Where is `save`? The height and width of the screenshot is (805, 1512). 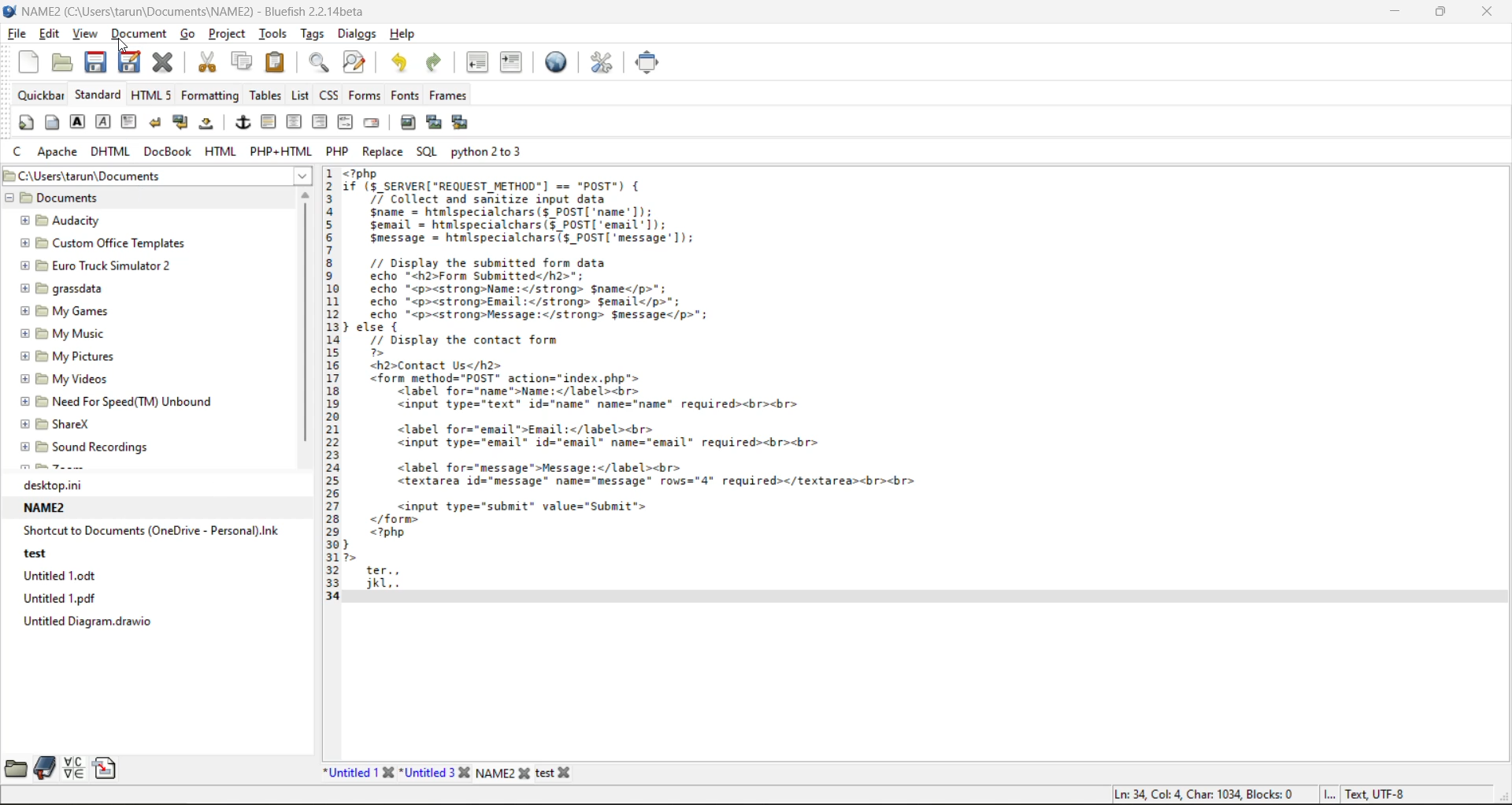
save is located at coordinates (95, 62).